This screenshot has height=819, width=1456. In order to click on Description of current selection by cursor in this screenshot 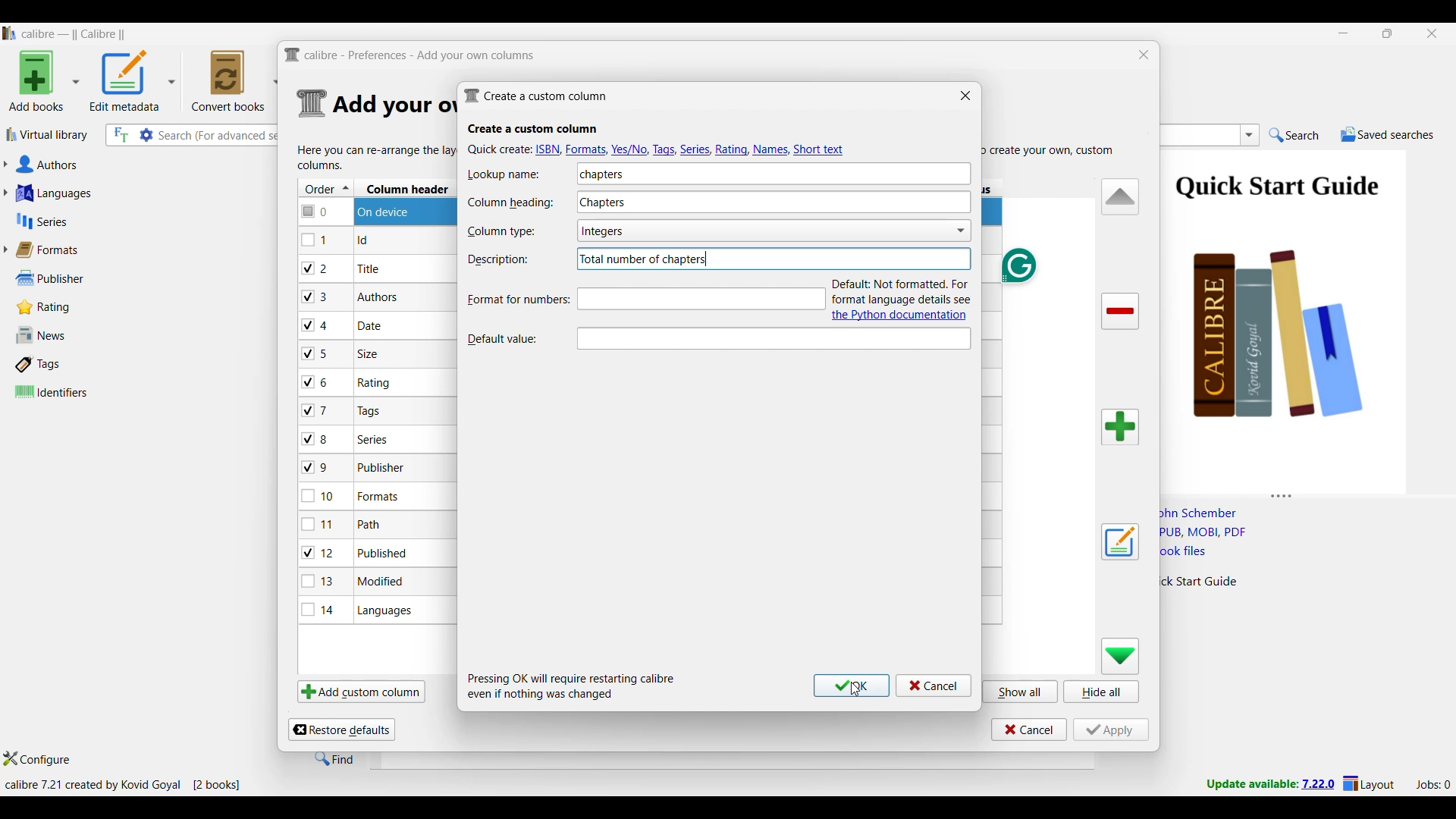, I will do `click(772, 336)`.